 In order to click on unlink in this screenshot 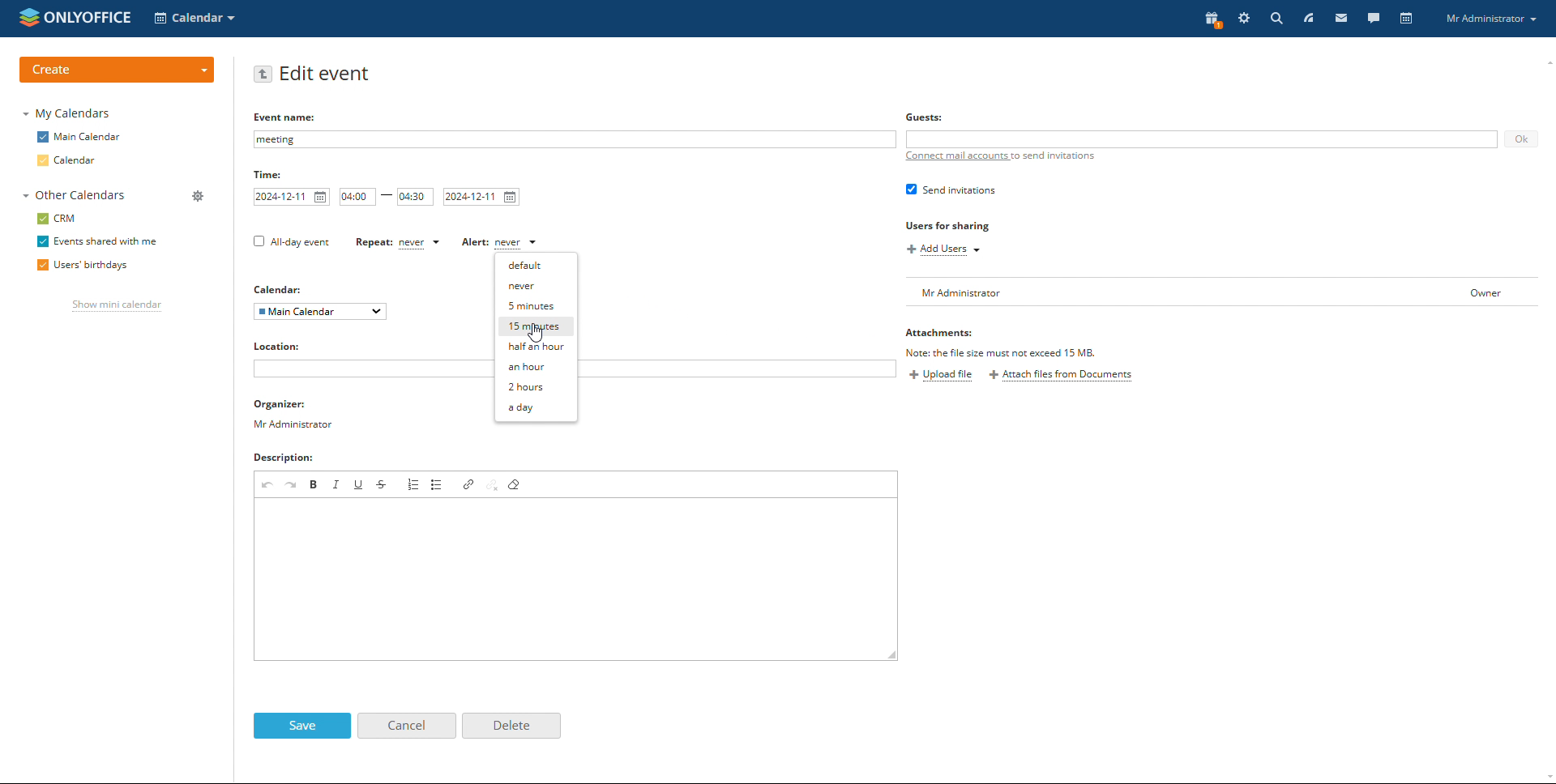, I will do `click(492, 485)`.